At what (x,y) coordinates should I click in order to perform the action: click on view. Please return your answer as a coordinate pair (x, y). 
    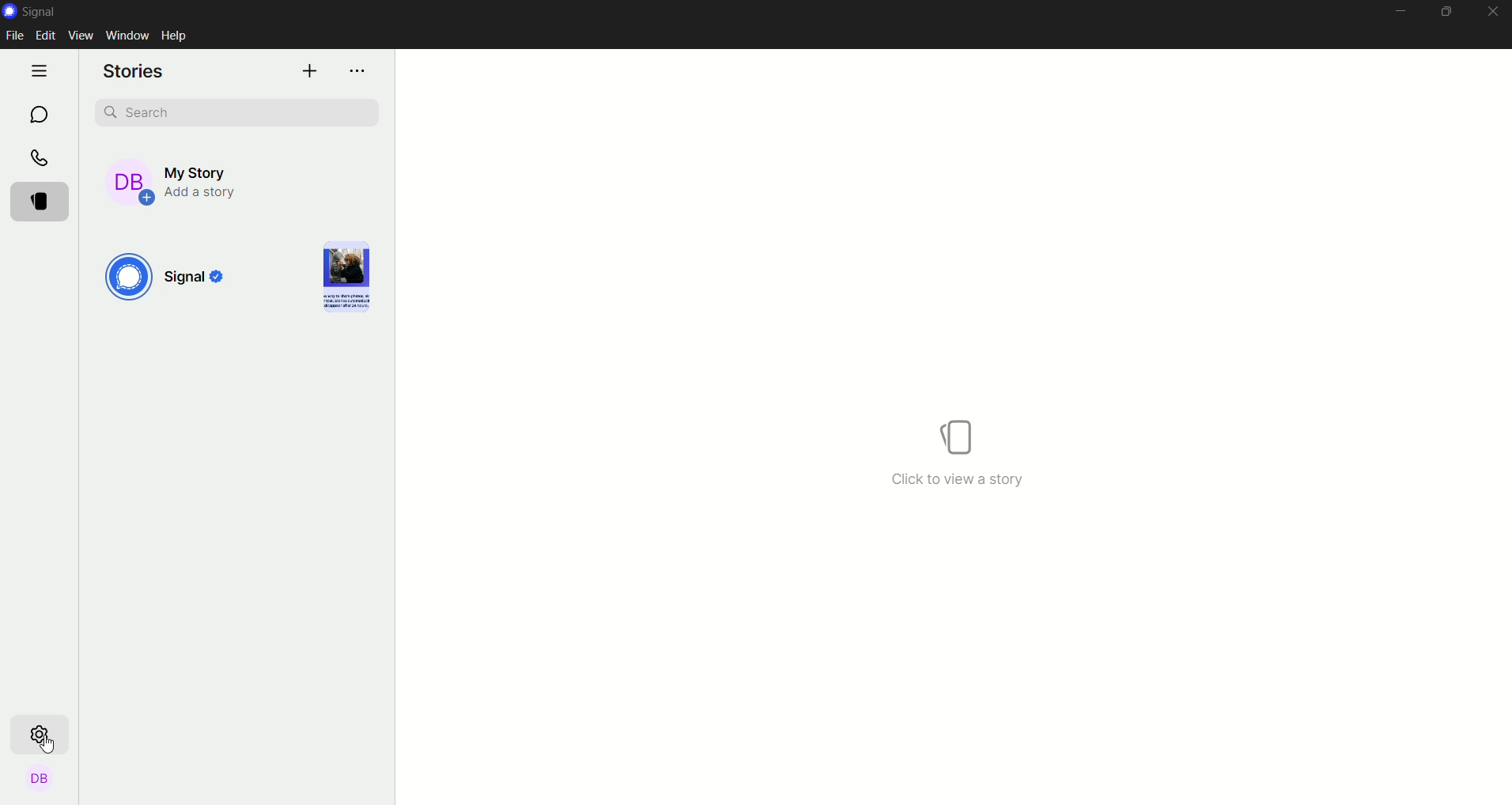
    Looking at the image, I should click on (81, 36).